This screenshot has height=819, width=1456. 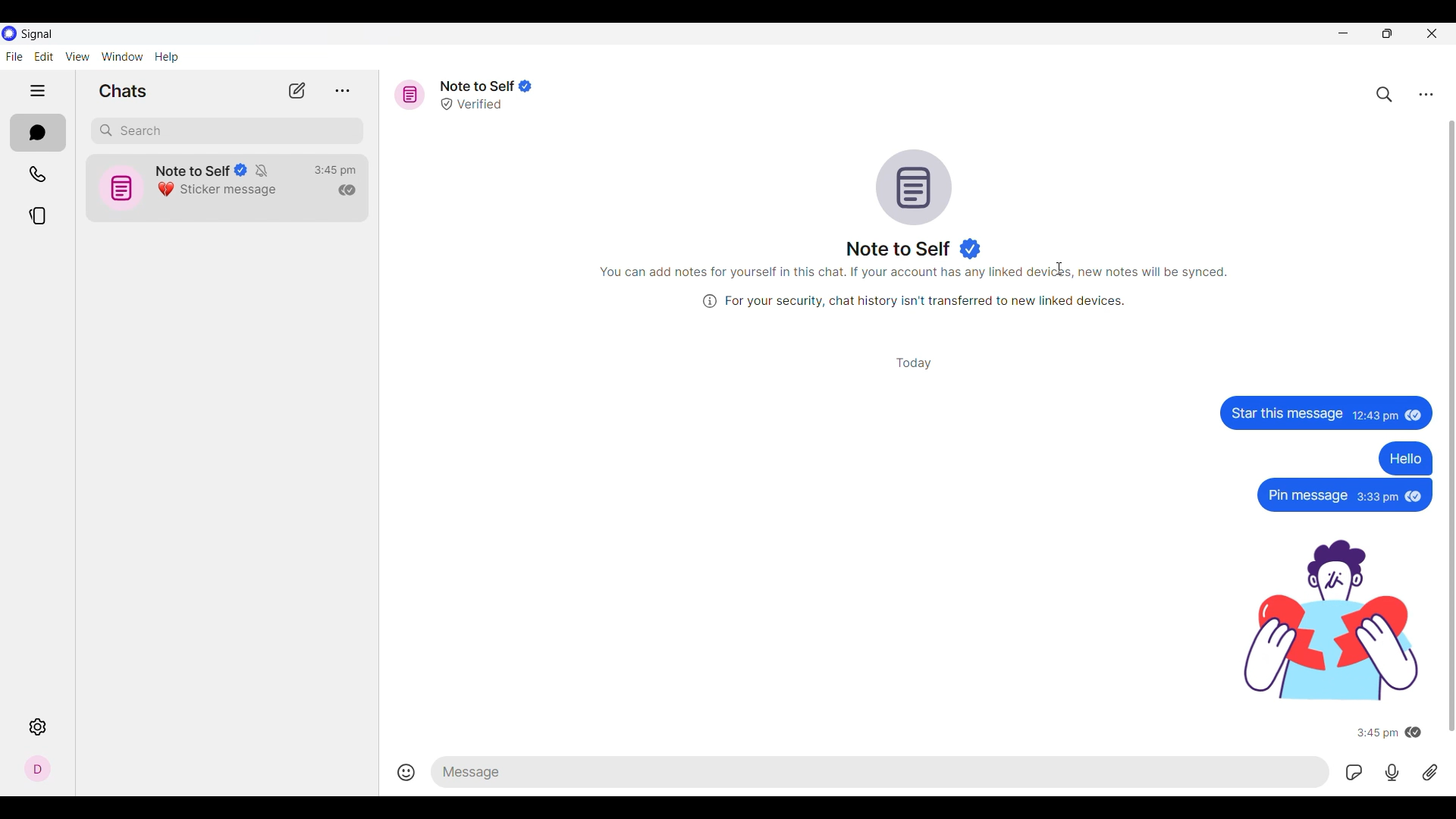 I want to click on seen, so click(x=1414, y=415).